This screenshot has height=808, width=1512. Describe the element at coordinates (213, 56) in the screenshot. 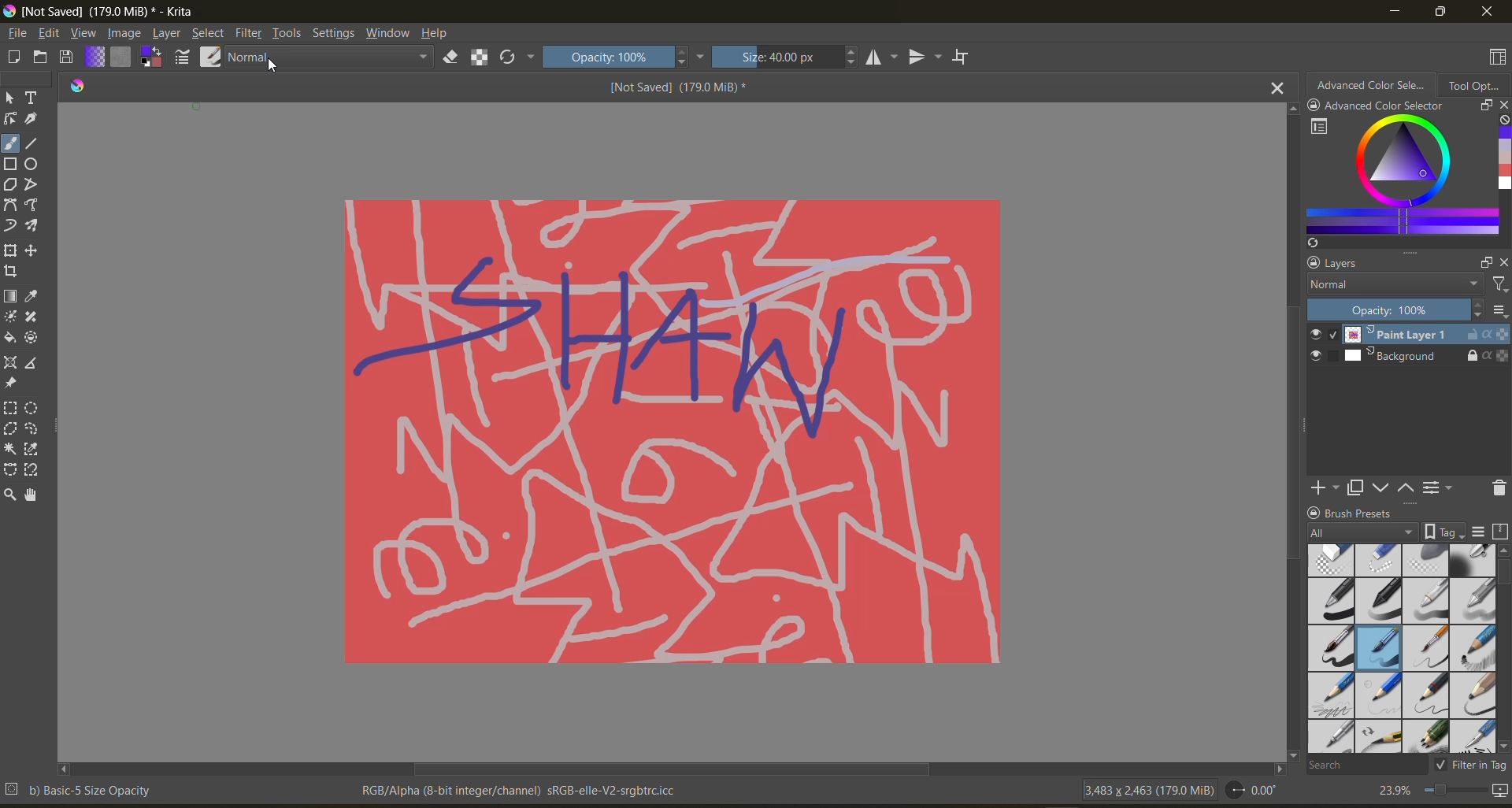

I see `choose brush preset` at that location.